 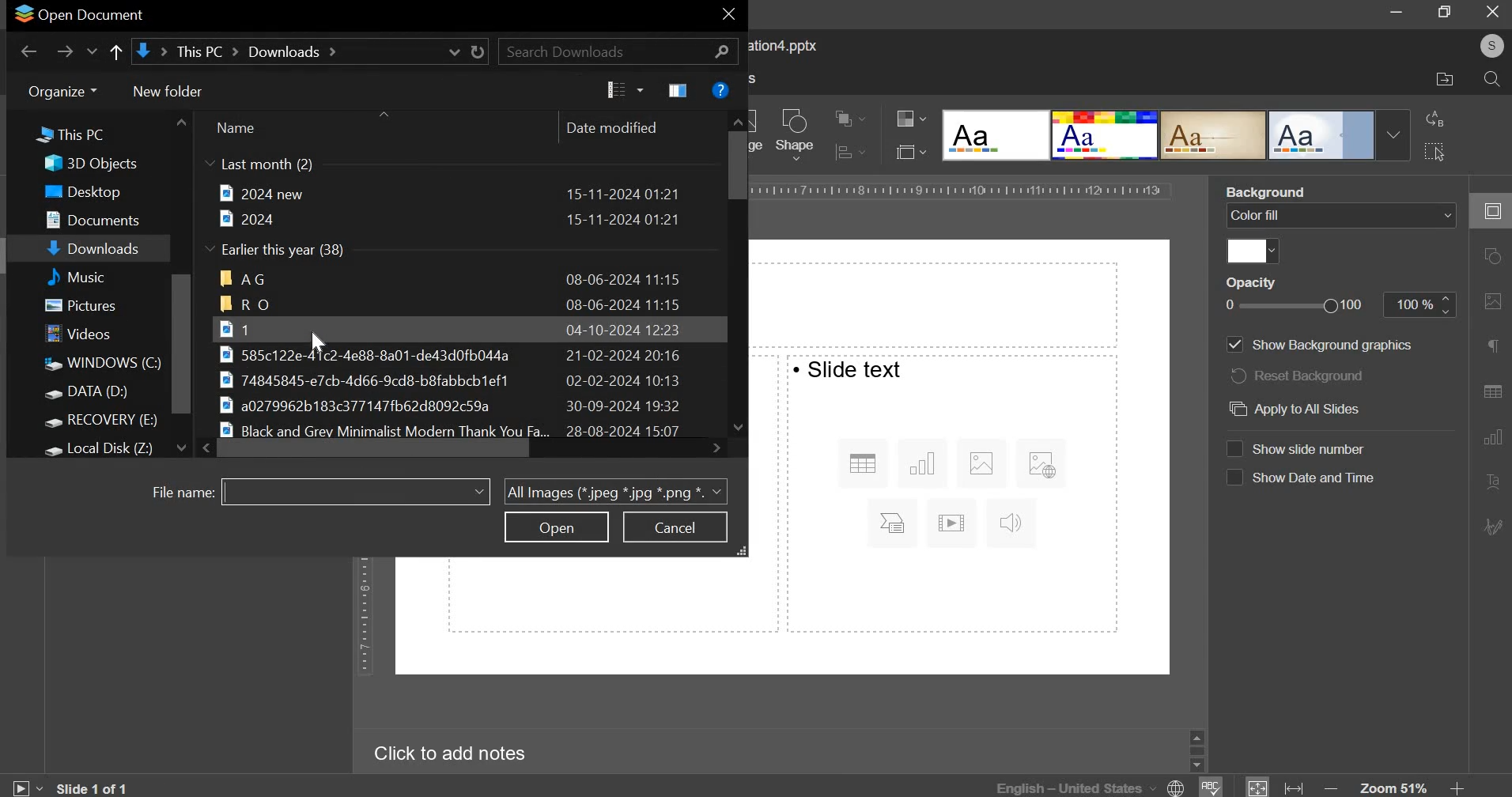 I want to click on design, so click(x=997, y=136).